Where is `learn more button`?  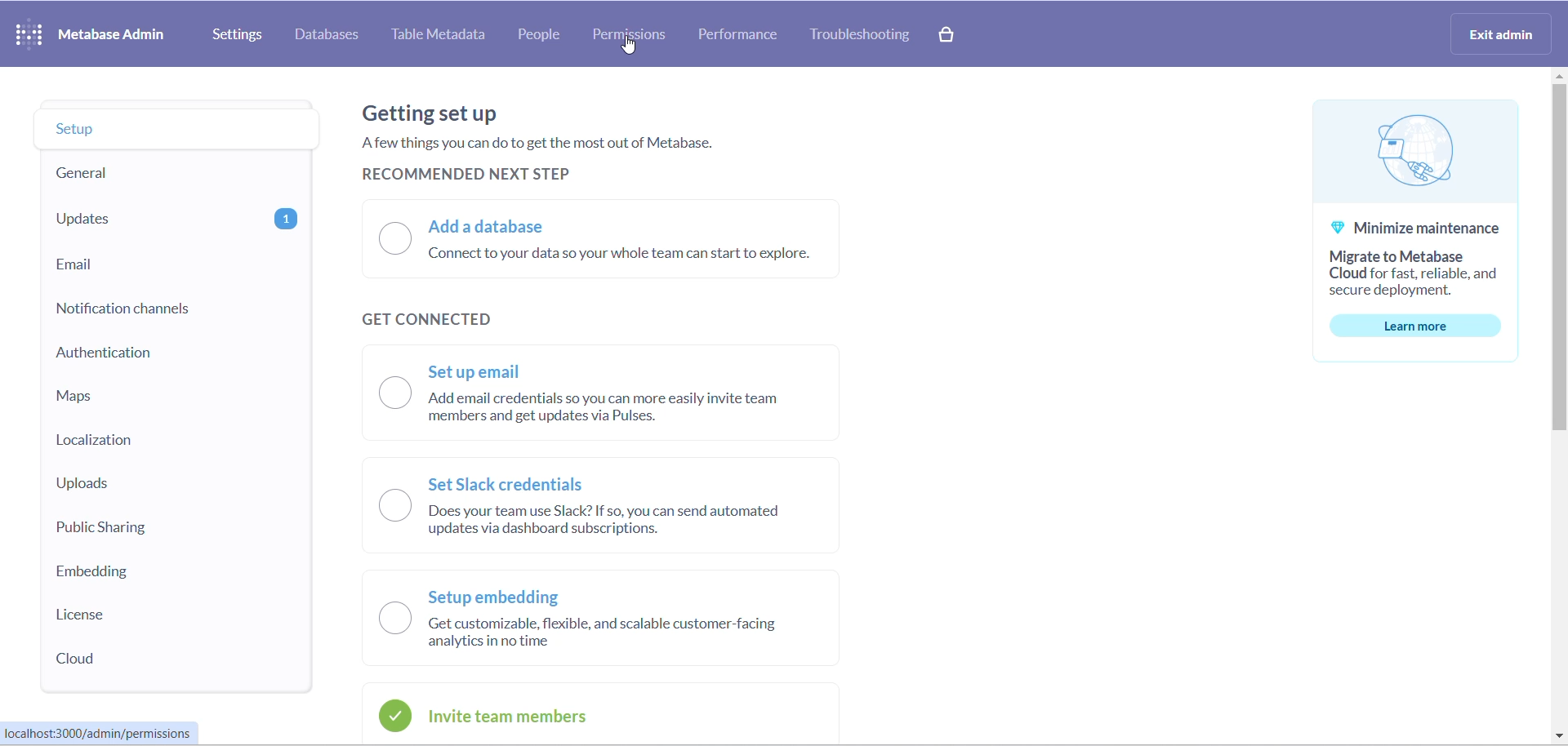
learn more button is located at coordinates (1428, 326).